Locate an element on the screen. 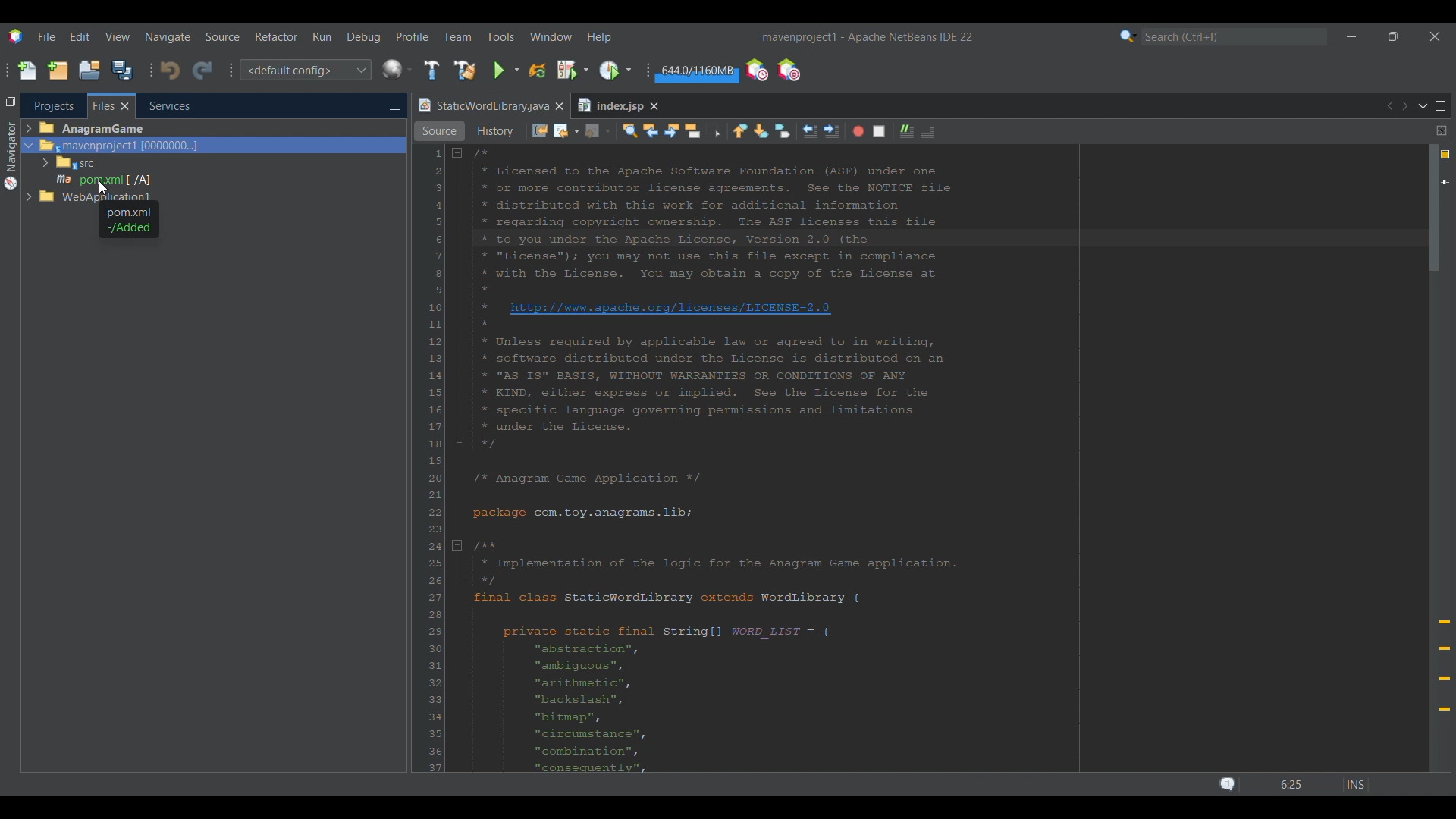 The image size is (1456, 819). Previous is located at coordinates (1389, 106).